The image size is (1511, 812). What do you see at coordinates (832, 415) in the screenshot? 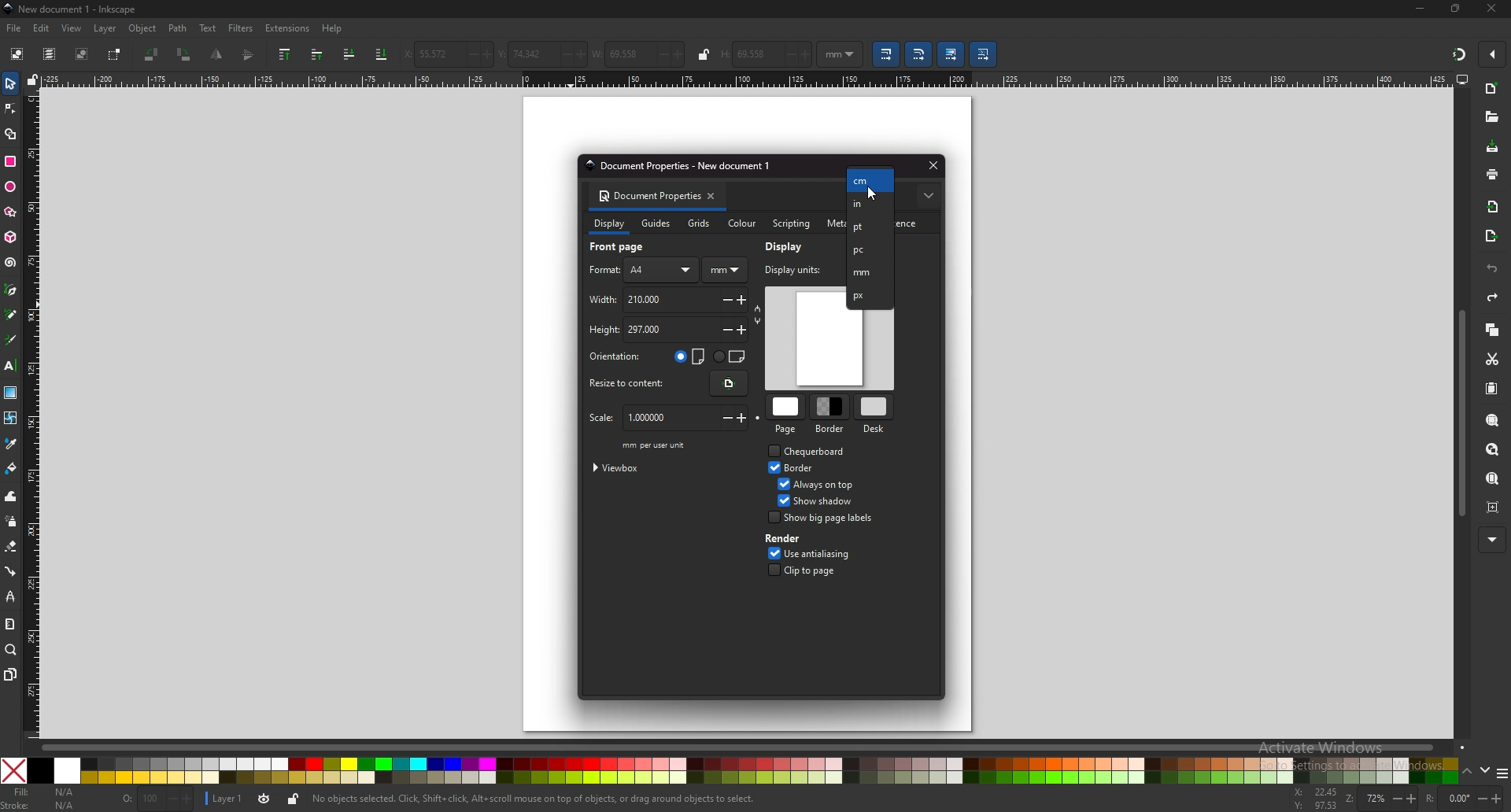
I see `border` at bounding box center [832, 415].